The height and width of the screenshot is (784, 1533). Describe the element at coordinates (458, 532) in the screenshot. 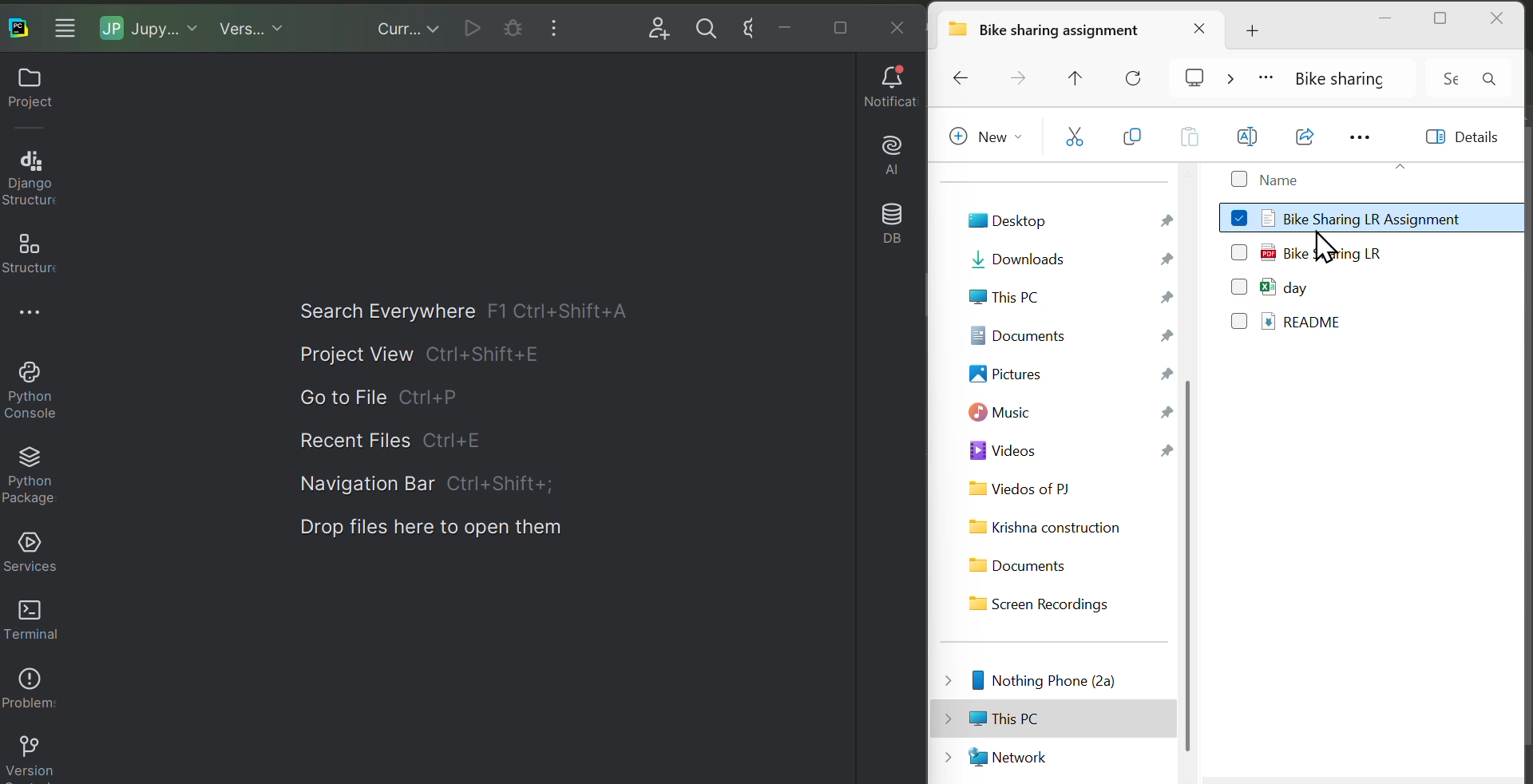

I see `Drop files here to open them` at that location.